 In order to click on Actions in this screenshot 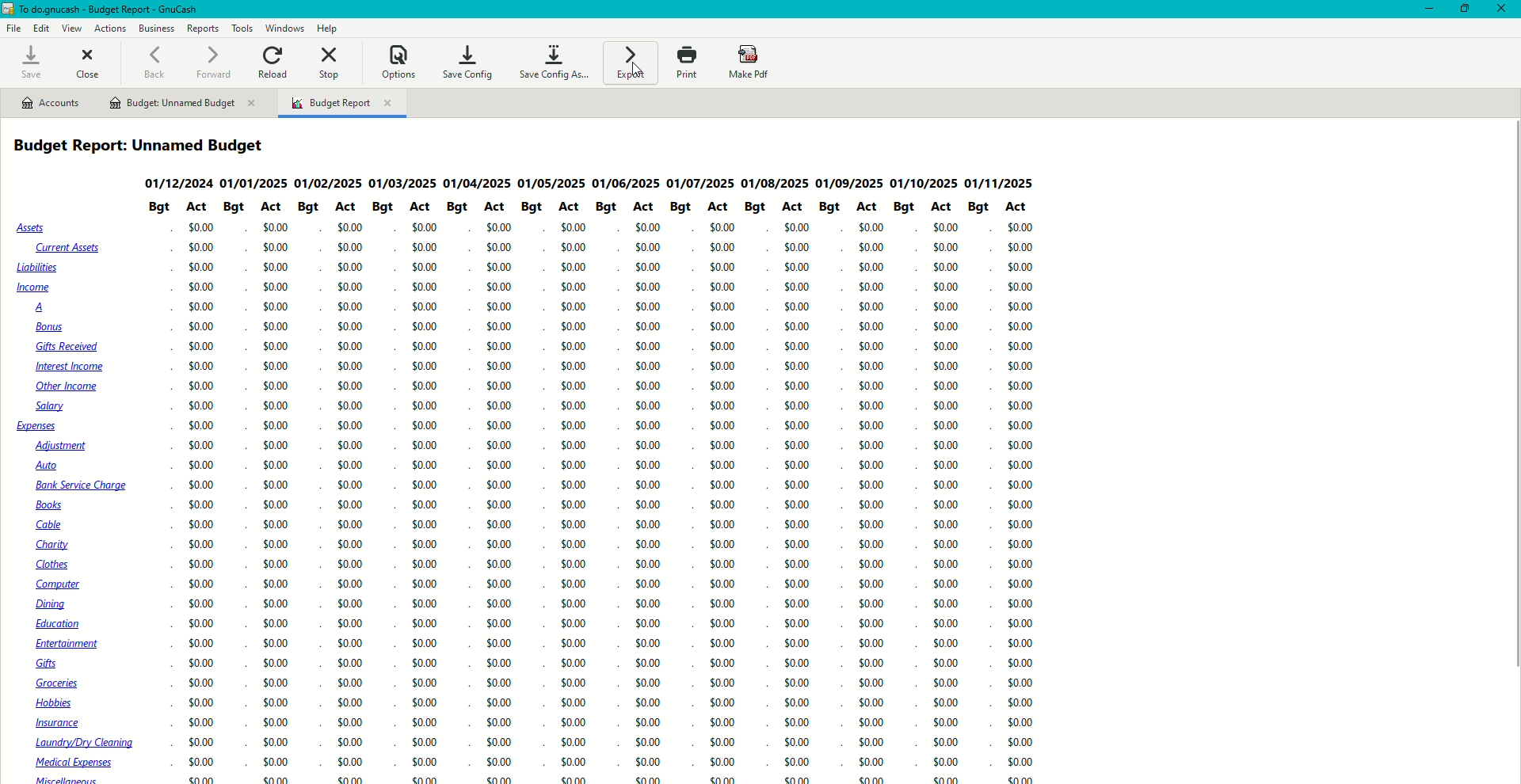, I will do `click(109, 27)`.